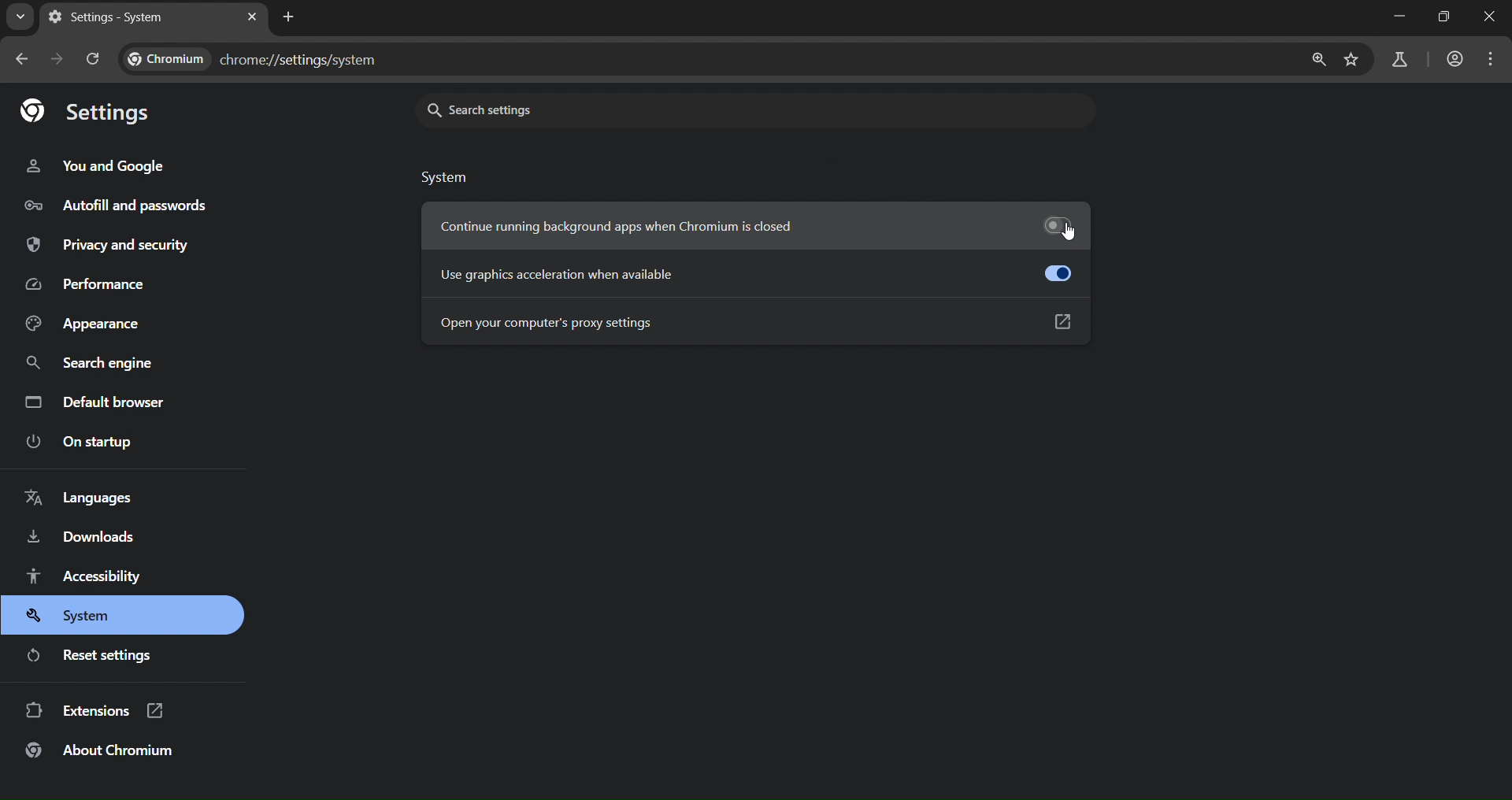 The image size is (1512, 800). What do you see at coordinates (23, 18) in the screenshot?
I see `search tabs` at bounding box center [23, 18].